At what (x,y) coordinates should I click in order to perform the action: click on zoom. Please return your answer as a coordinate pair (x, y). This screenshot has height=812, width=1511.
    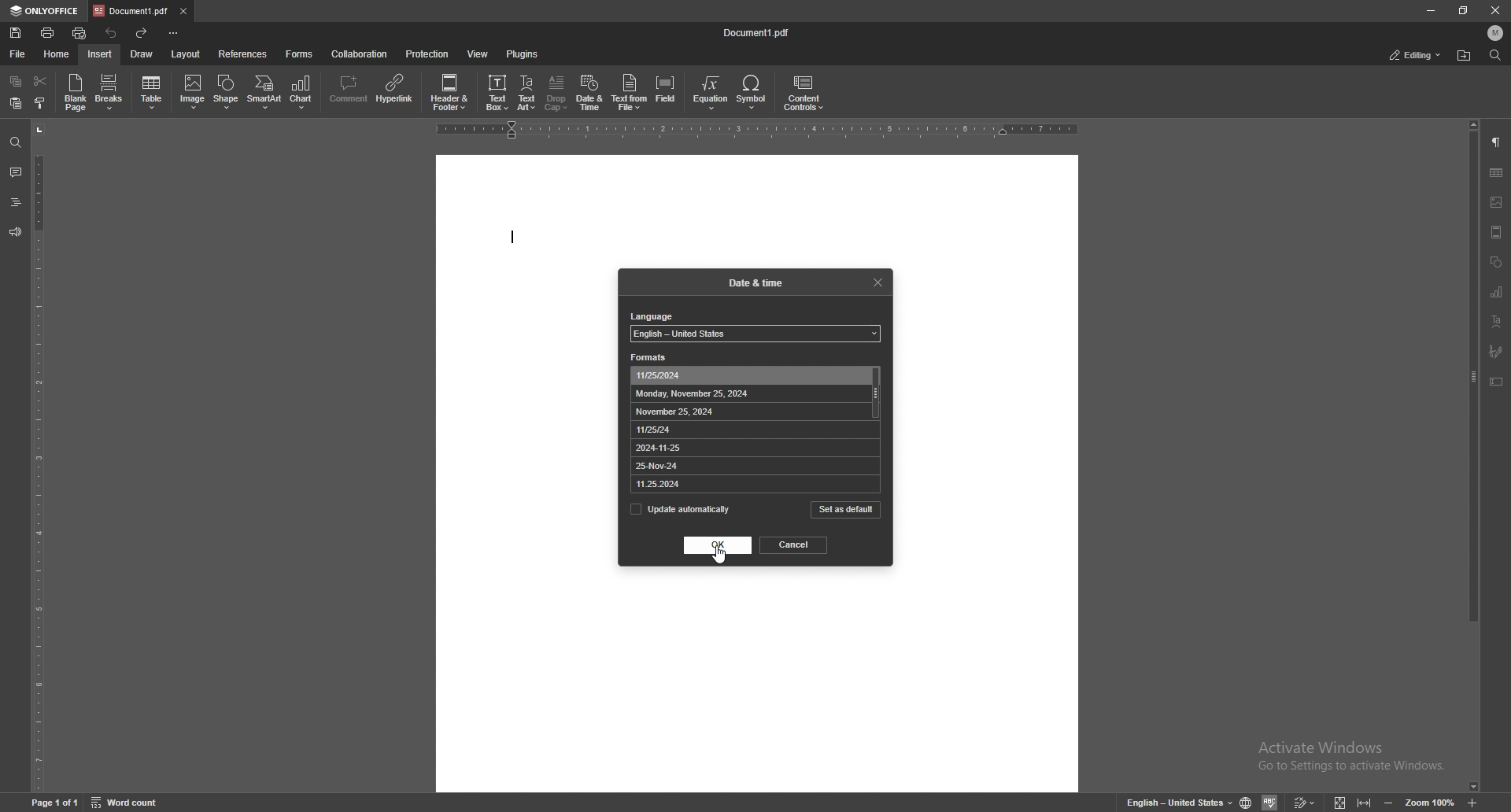
    Looking at the image, I should click on (1430, 801).